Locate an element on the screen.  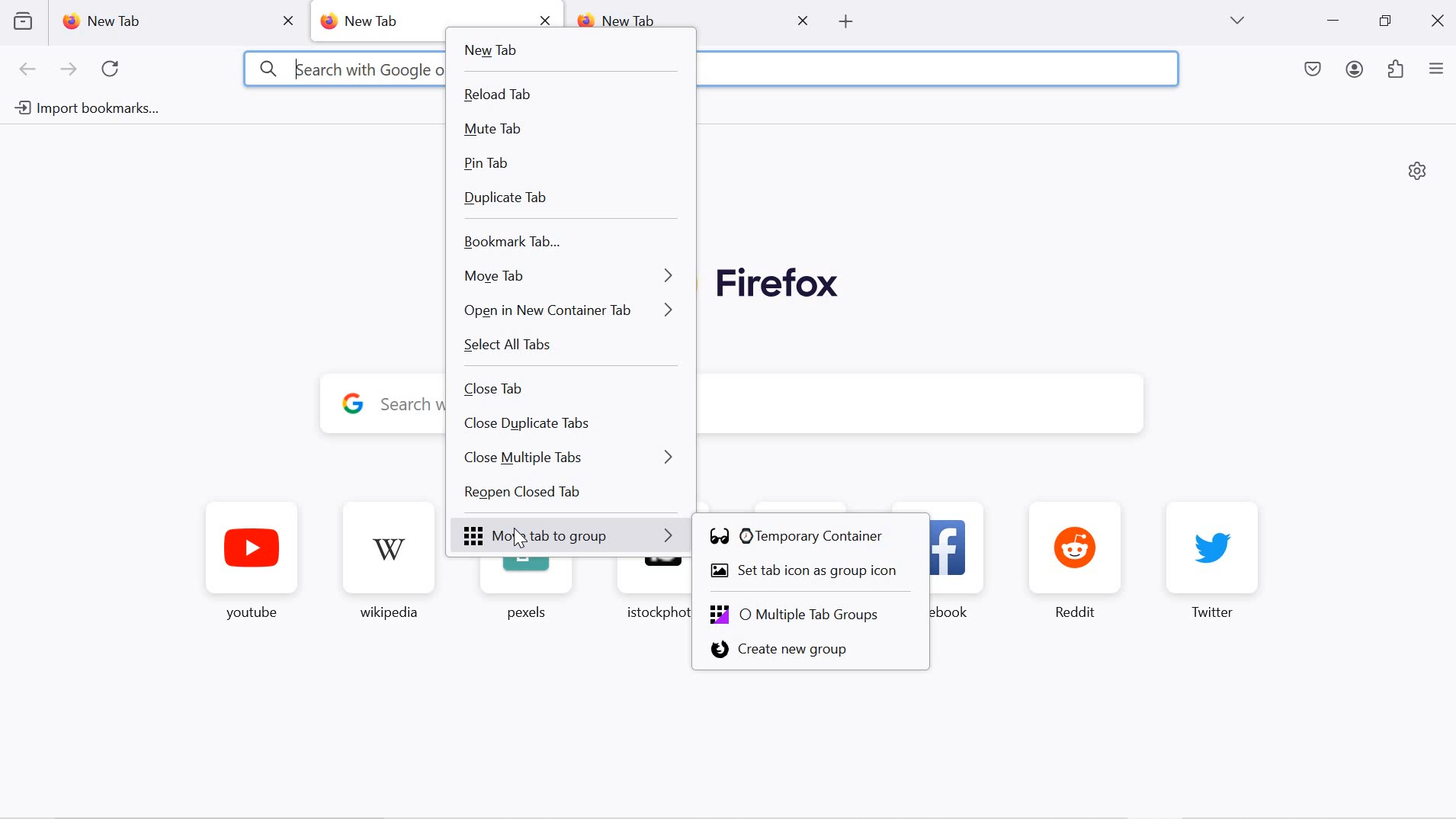
create new group is located at coordinates (803, 650).